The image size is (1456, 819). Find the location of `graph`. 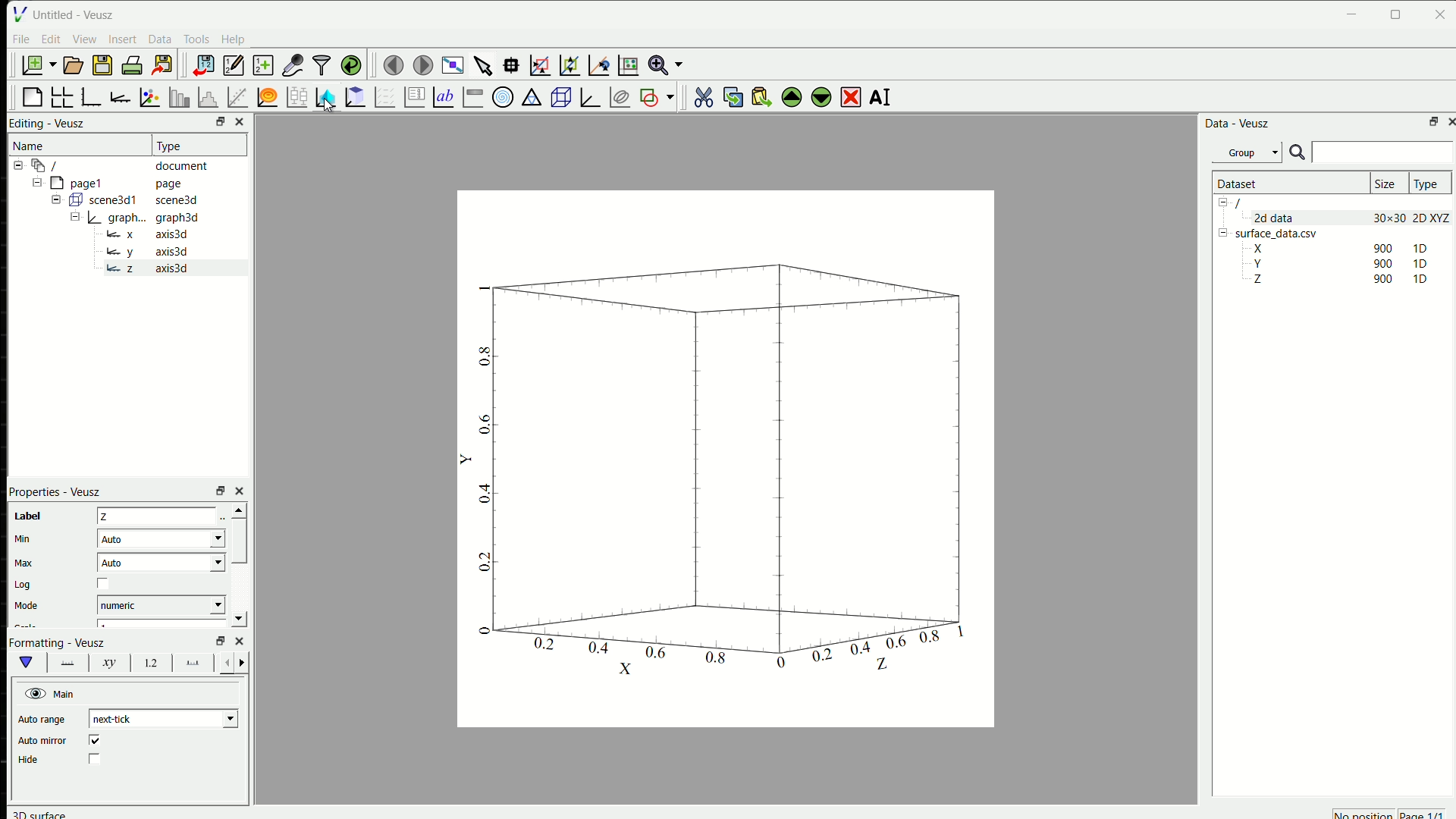

graph is located at coordinates (726, 475).